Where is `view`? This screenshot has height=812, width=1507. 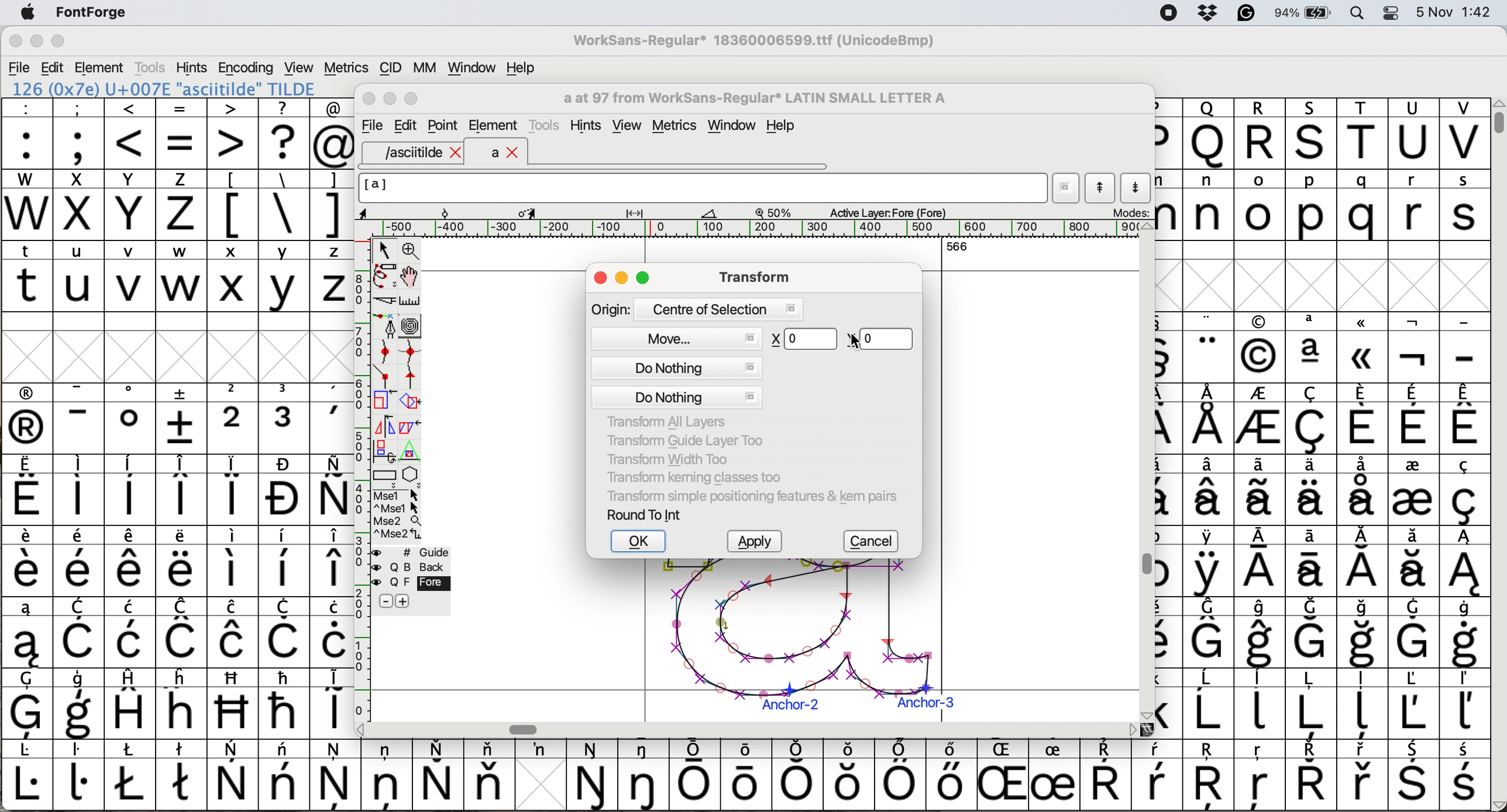
view is located at coordinates (297, 66).